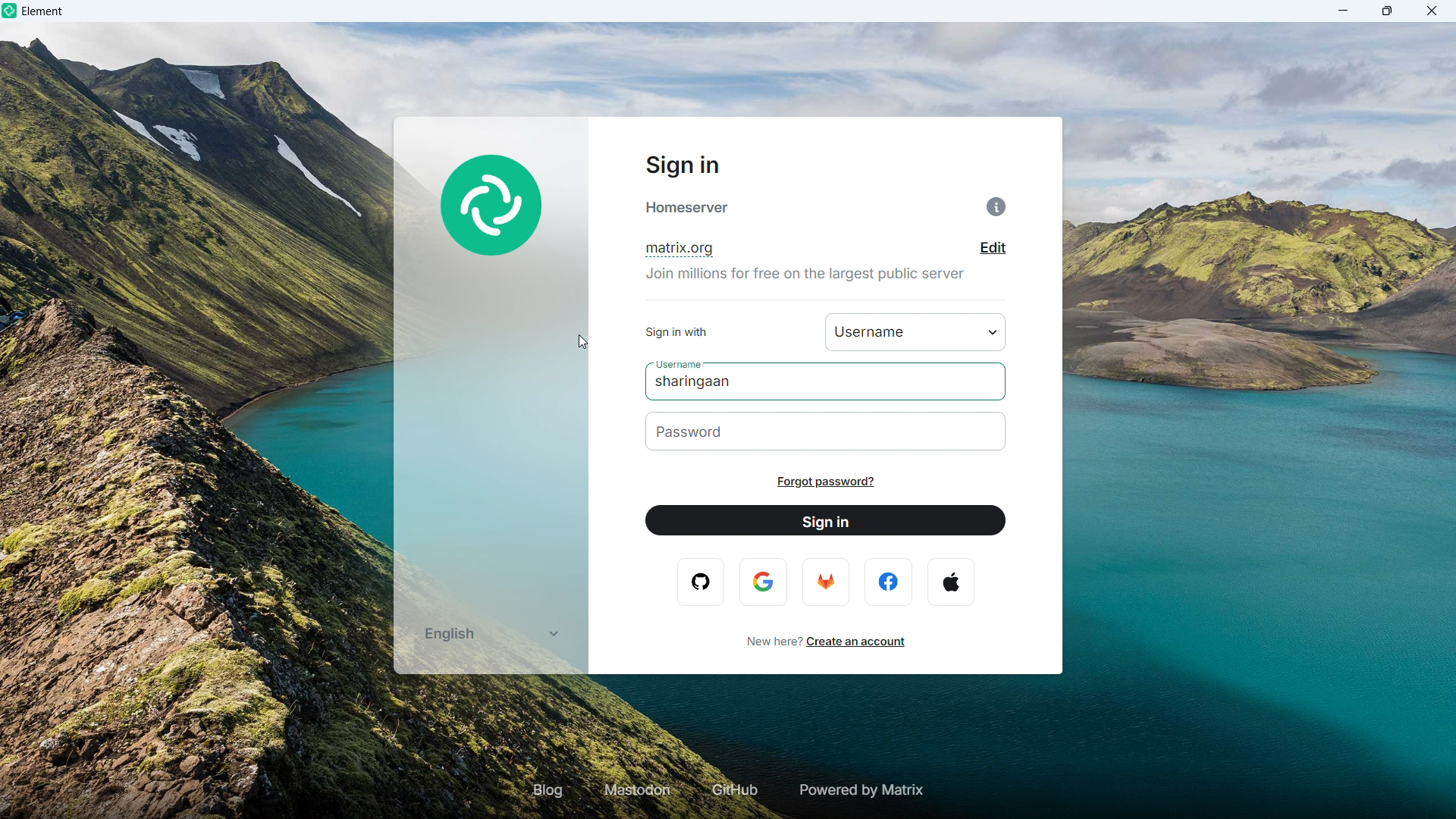  I want to click on Select language , so click(489, 633).